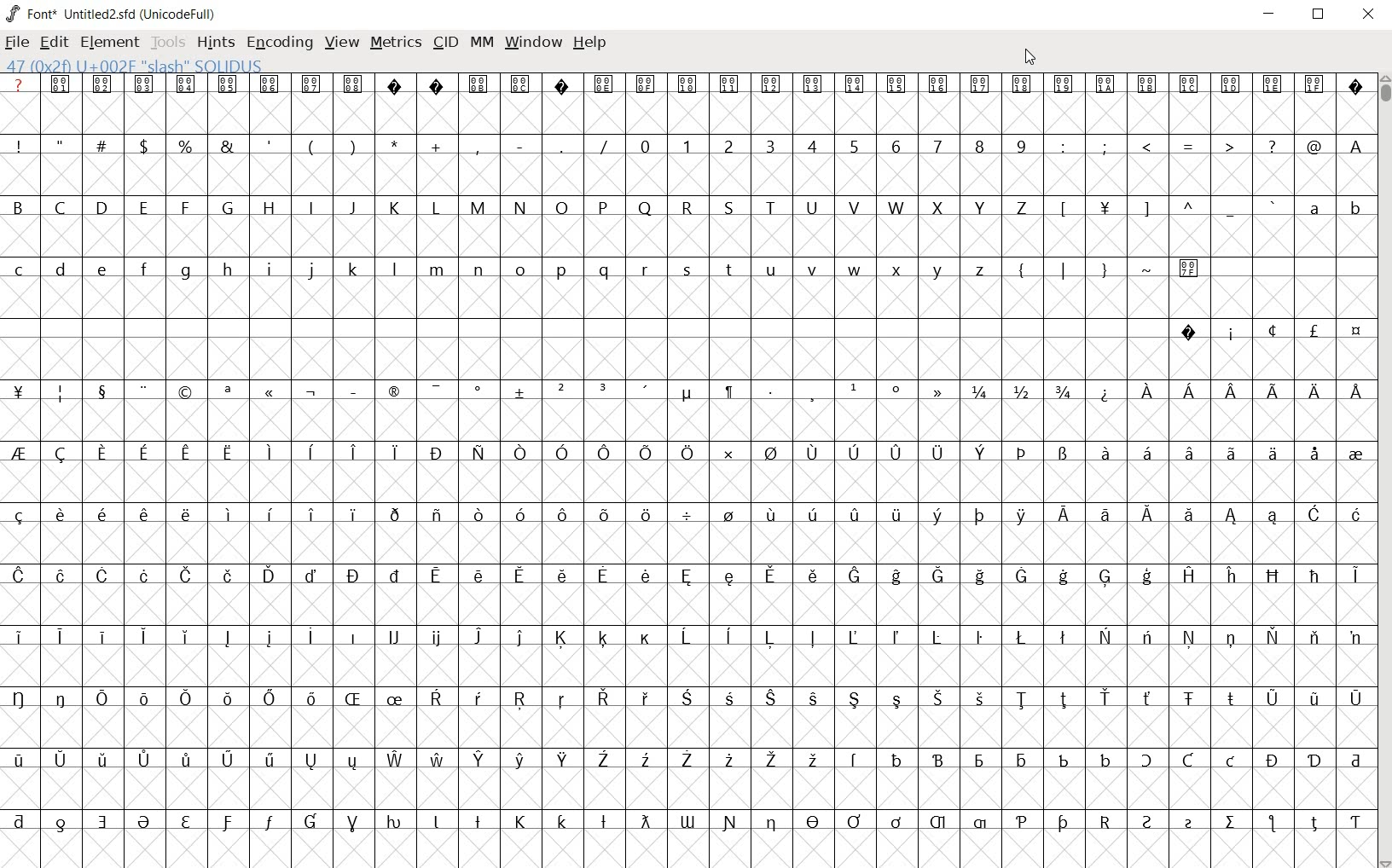 The height and width of the screenshot is (868, 1392). What do you see at coordinates (690, 176) in the screenshot?
I see `empty cells` at bounding box center [690, 176].